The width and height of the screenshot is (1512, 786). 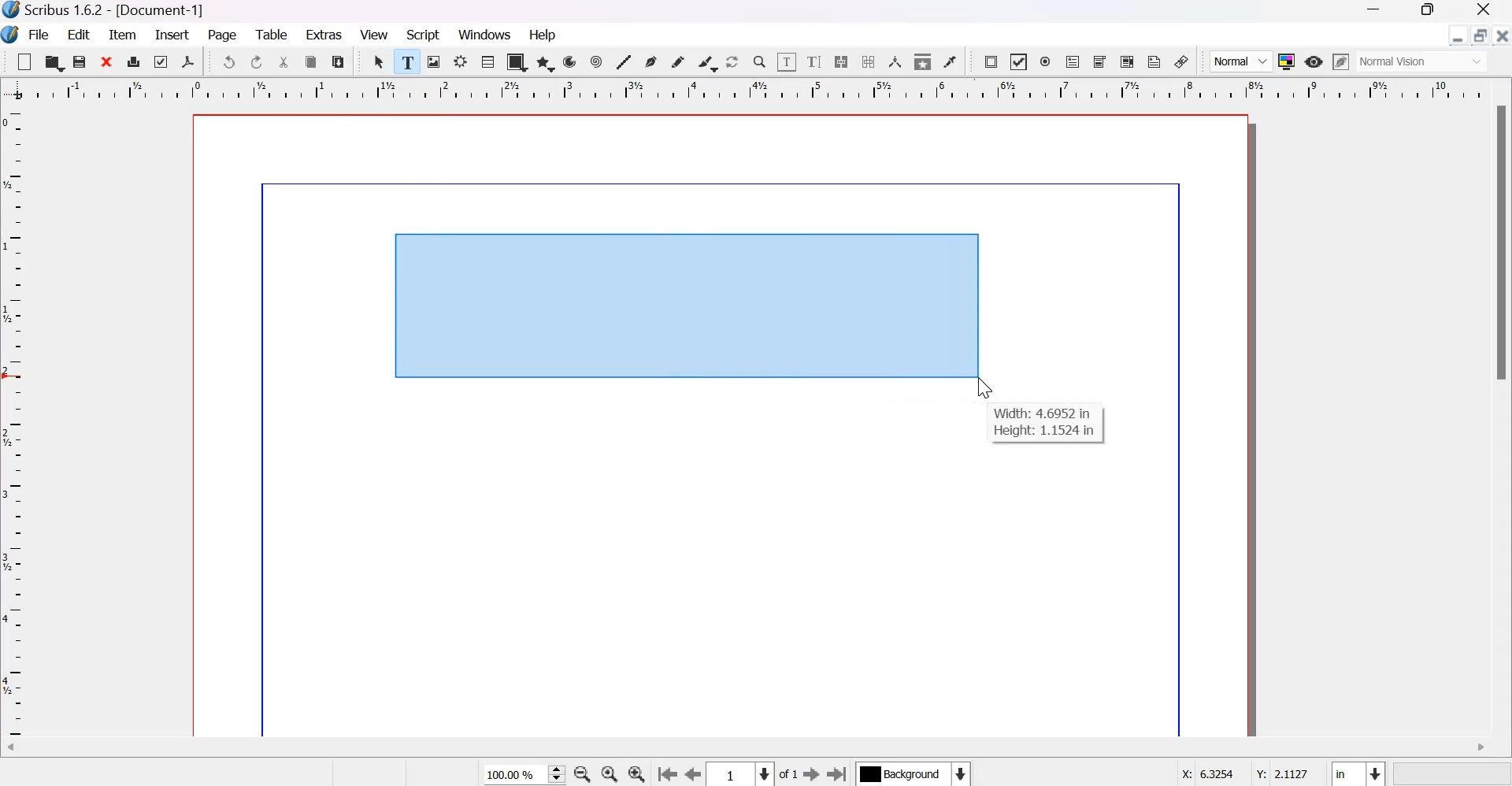 What do you see at coordinates (408, 59) in the screenshot?
I see `text frame` at bounding box center [408, 59].